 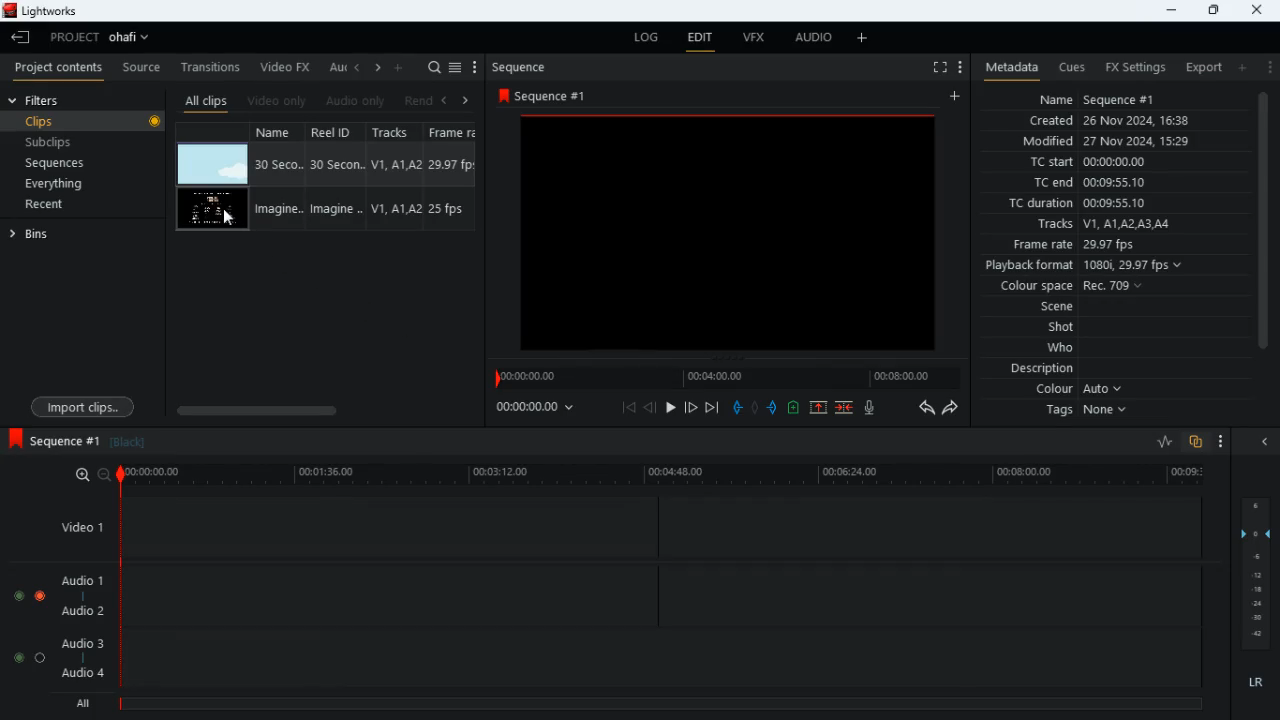 I want to click on screen, so click(x=729, y=231).